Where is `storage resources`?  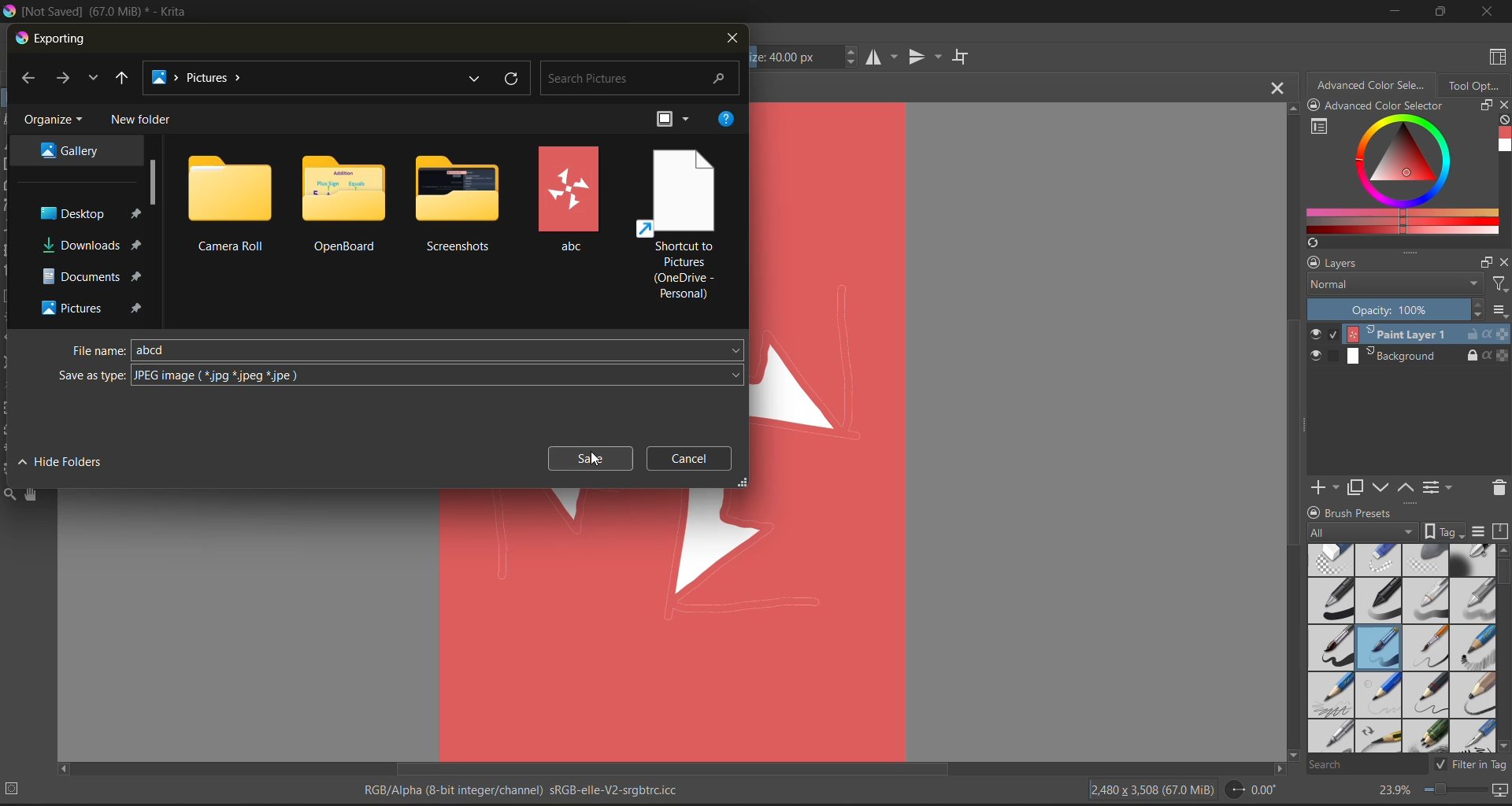 storage resources is located at coordinates (1502, 532).